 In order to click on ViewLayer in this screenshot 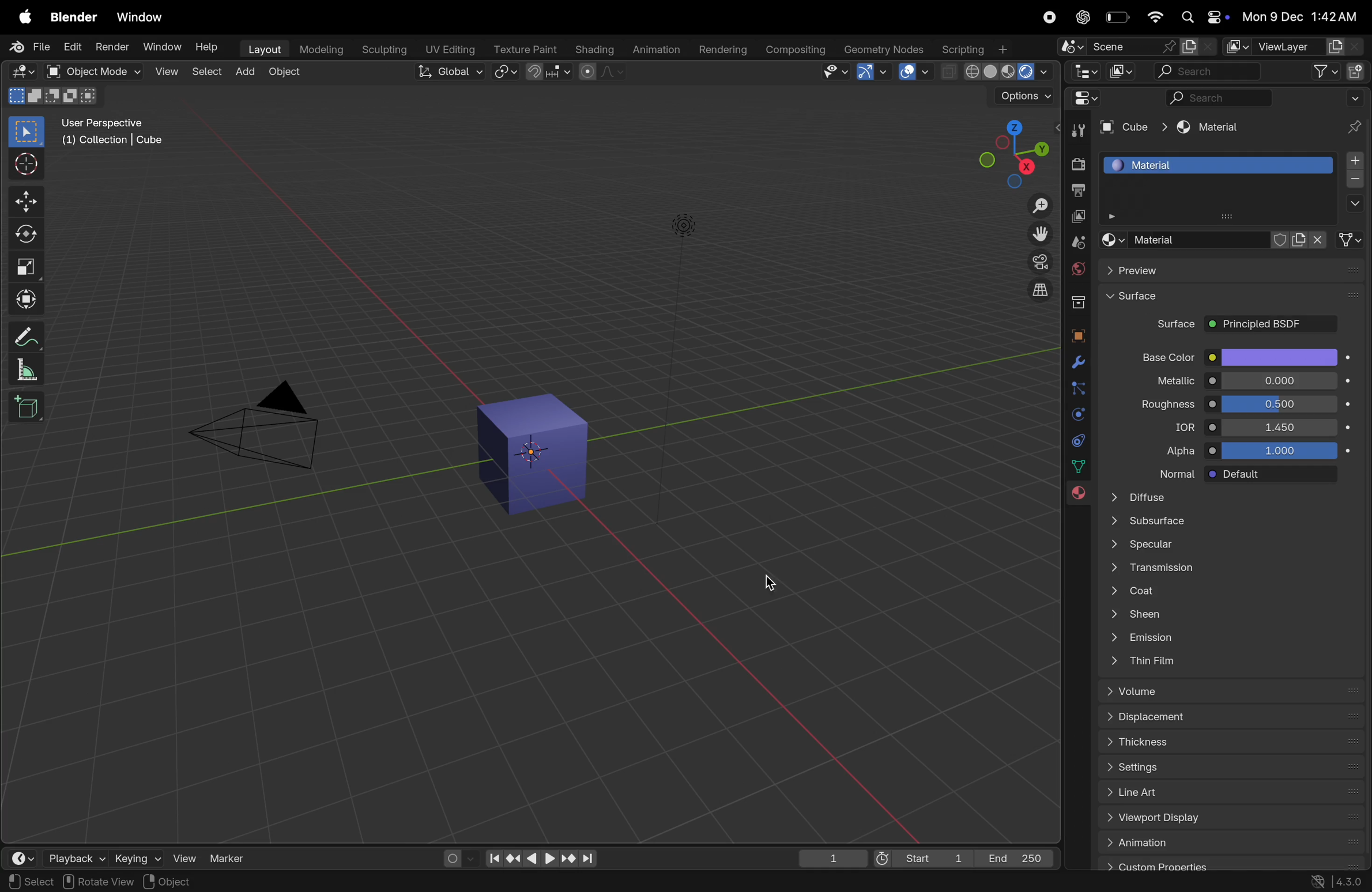, I will do `click(1293, 46)`.